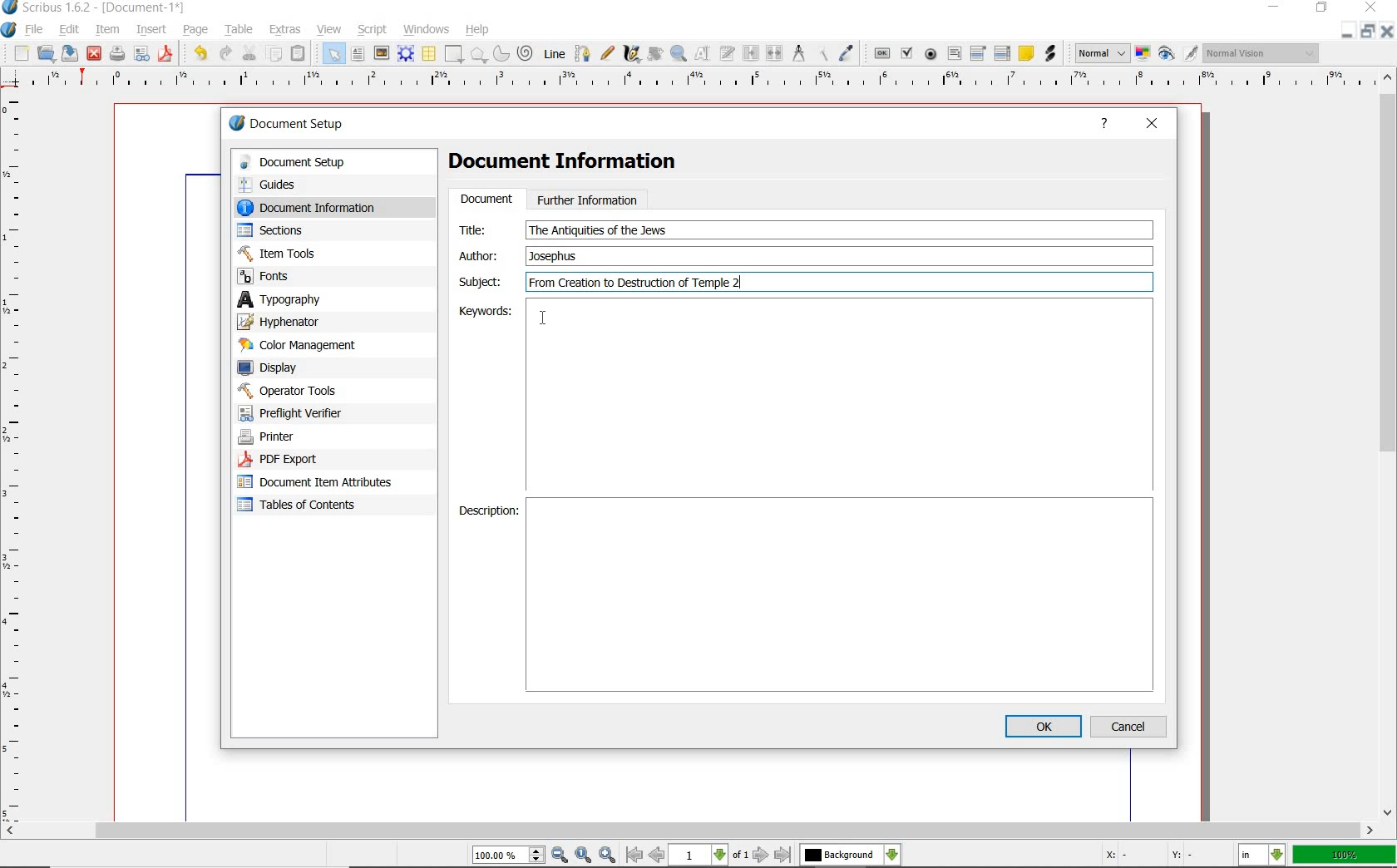 This screenshot has height=868, width=1397. I want to click on scrollbar, so click(1389, 446).